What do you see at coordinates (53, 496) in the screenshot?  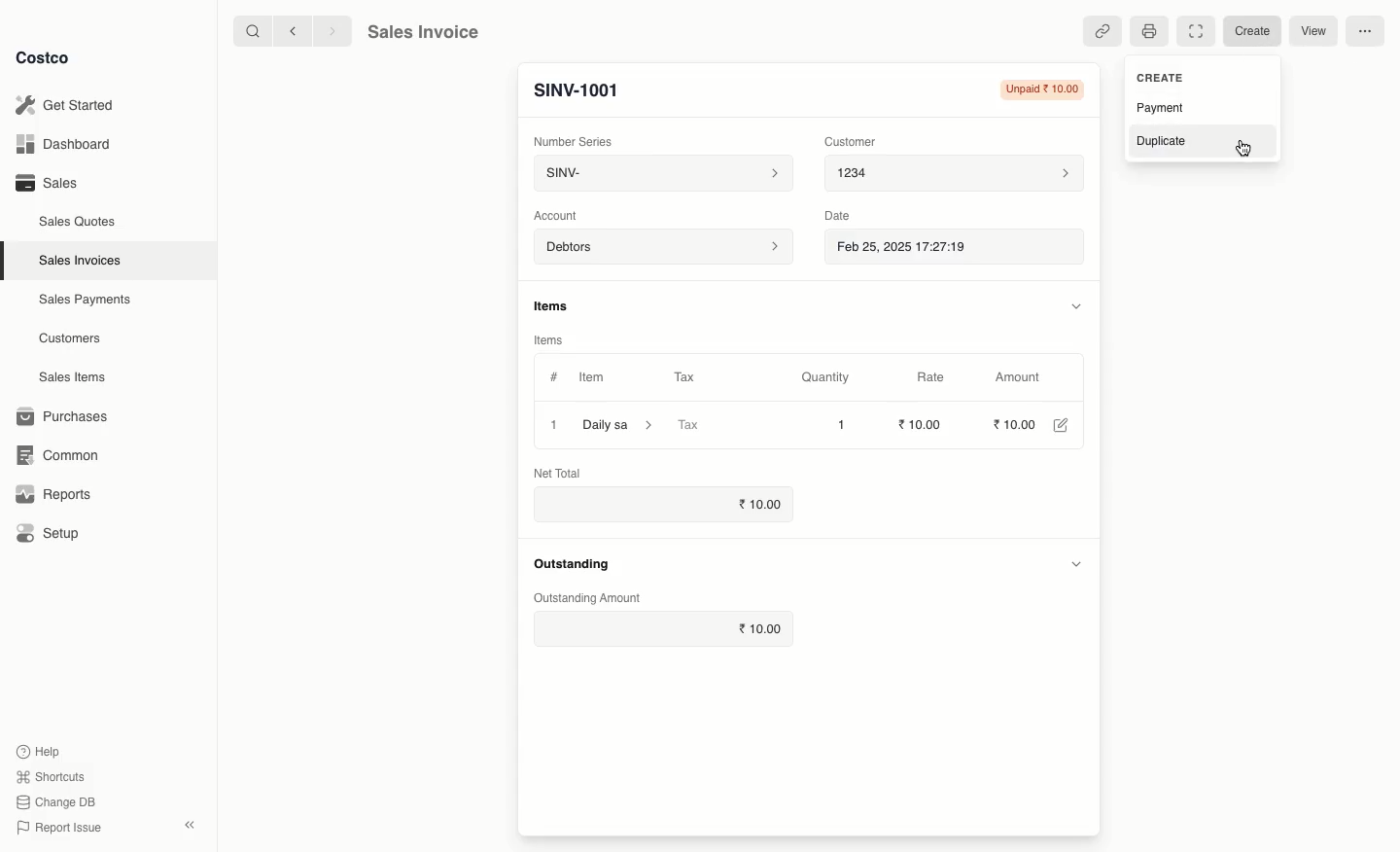 I see `Reports` at bounding box center [53, 496].